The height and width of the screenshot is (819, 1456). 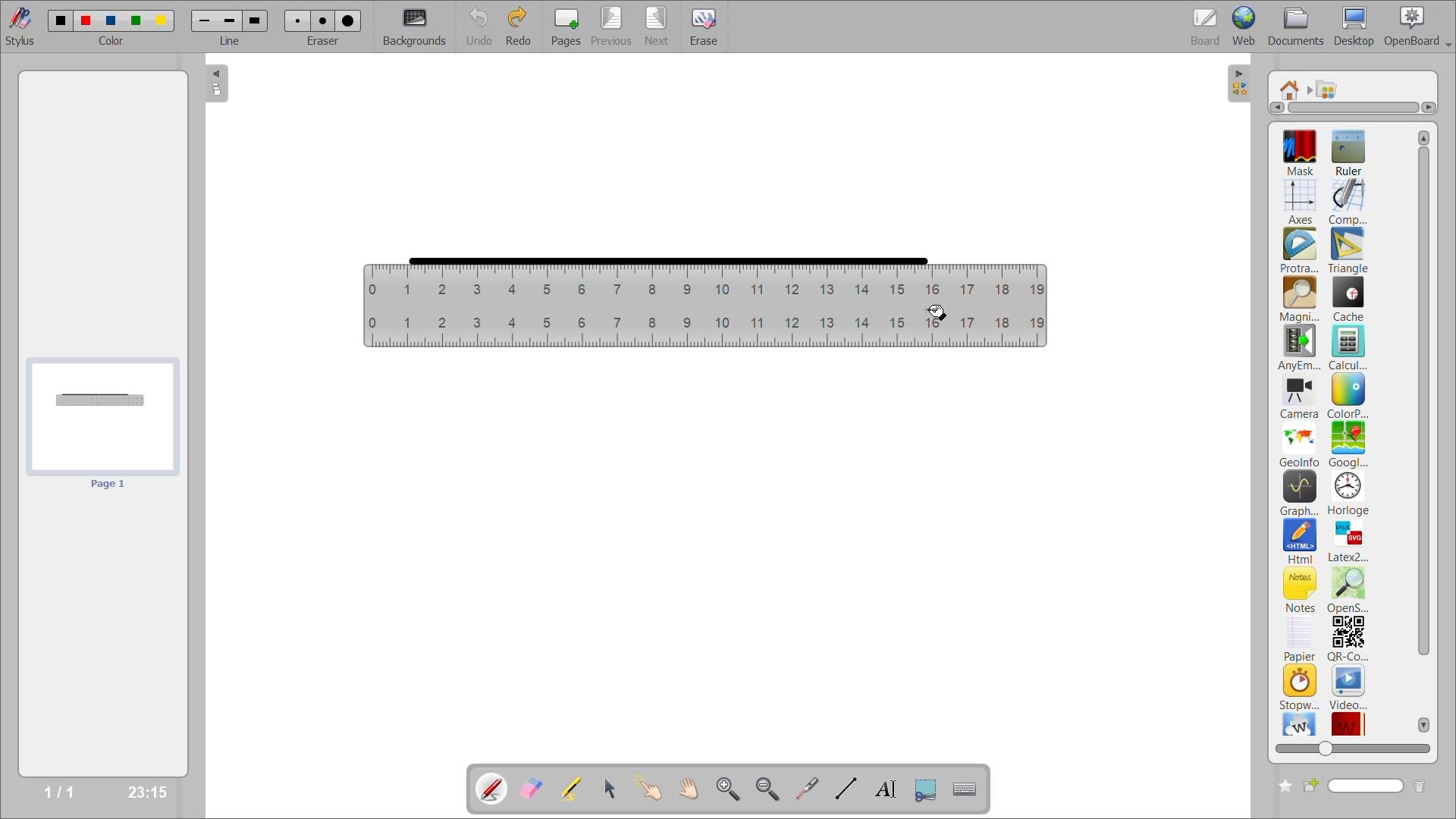 I want to click on annotate document, so click(x=489, y=787).